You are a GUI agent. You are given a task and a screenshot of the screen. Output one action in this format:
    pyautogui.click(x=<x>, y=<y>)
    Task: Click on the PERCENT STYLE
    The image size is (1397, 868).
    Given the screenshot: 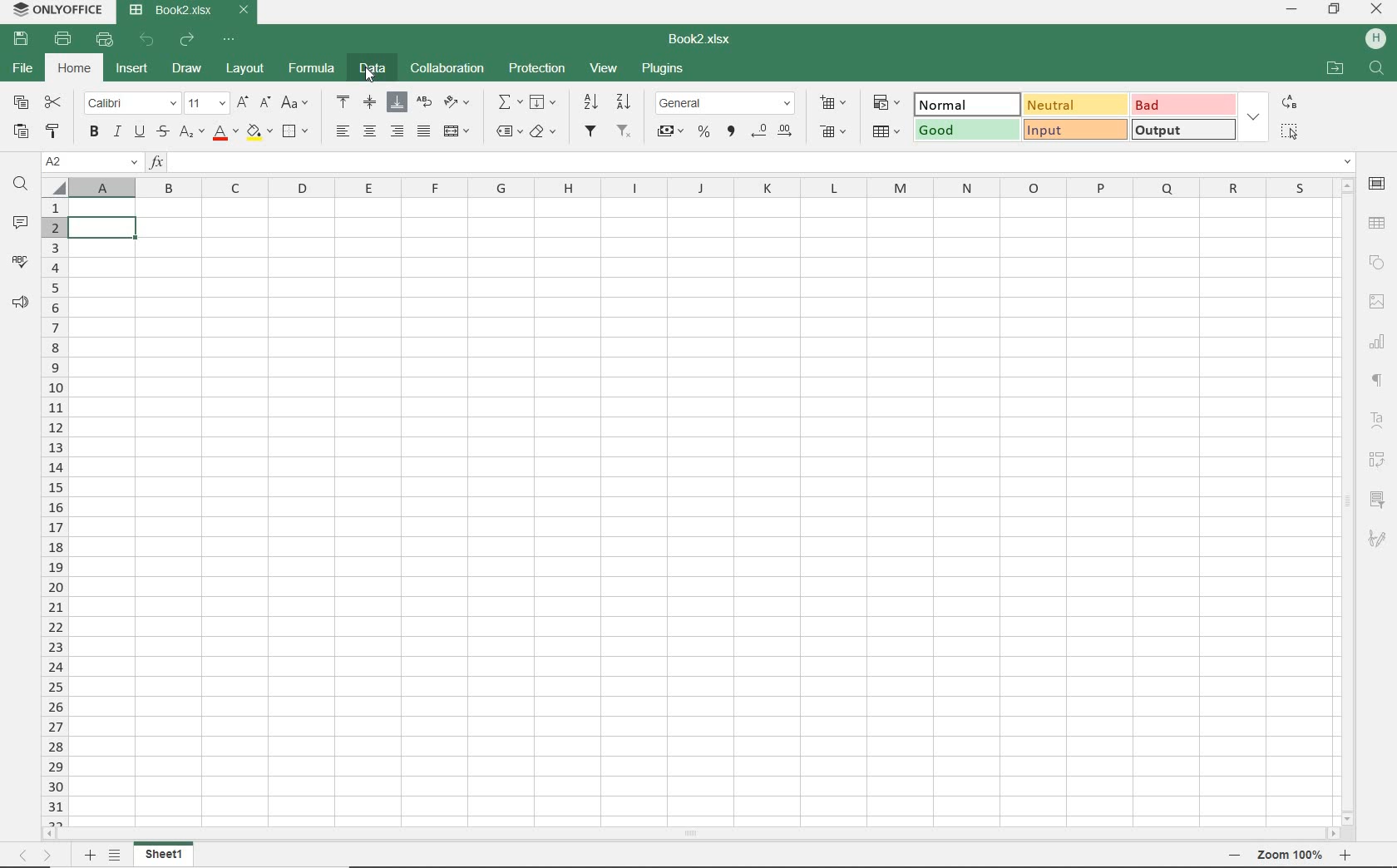 What is the action you would take?
    pyautogui.click(x=704, y=135)
    